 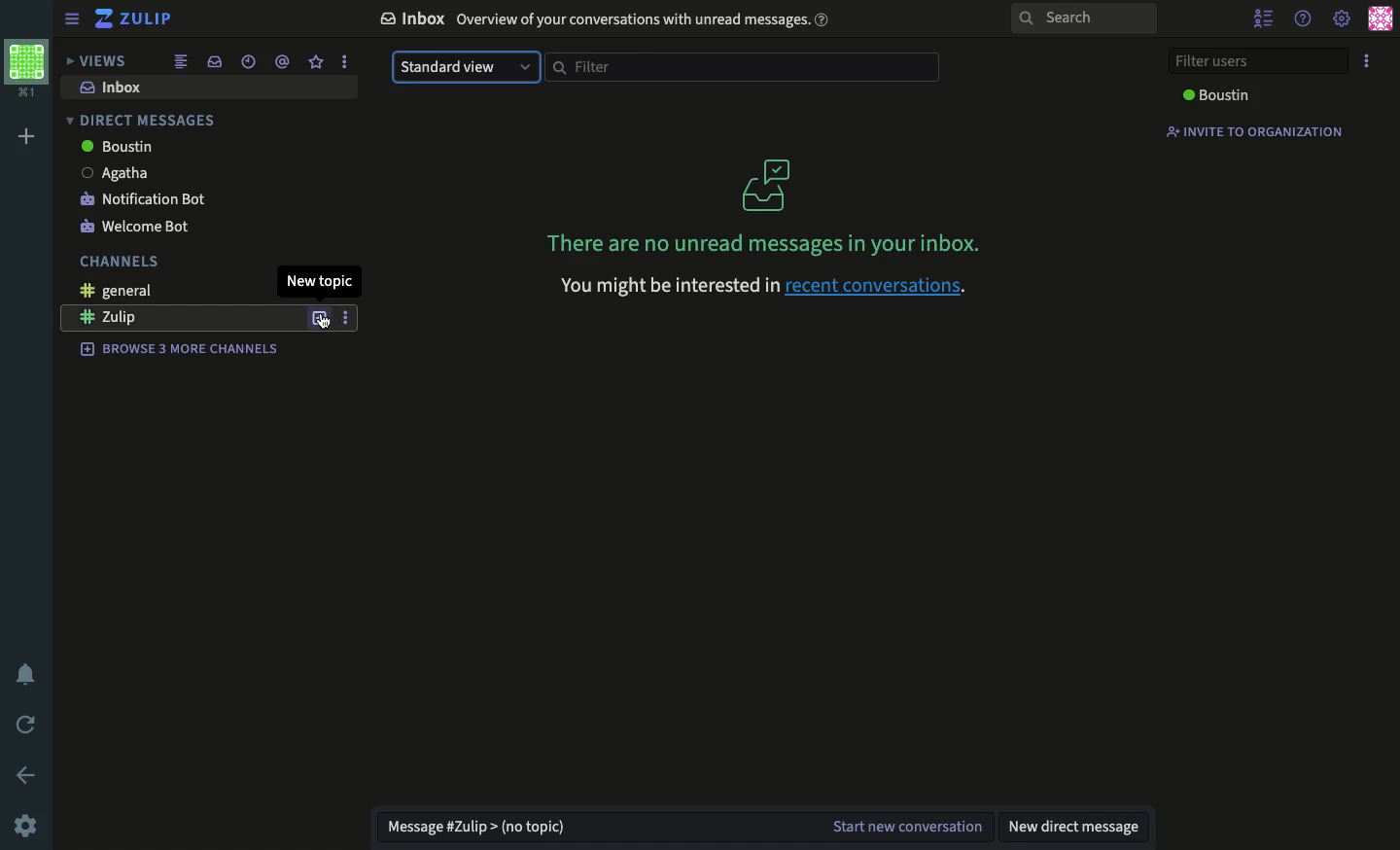 What do you see at coordinates (214, 61) in the screenshot?
I see `inbox` at bounding box center [214, 61].